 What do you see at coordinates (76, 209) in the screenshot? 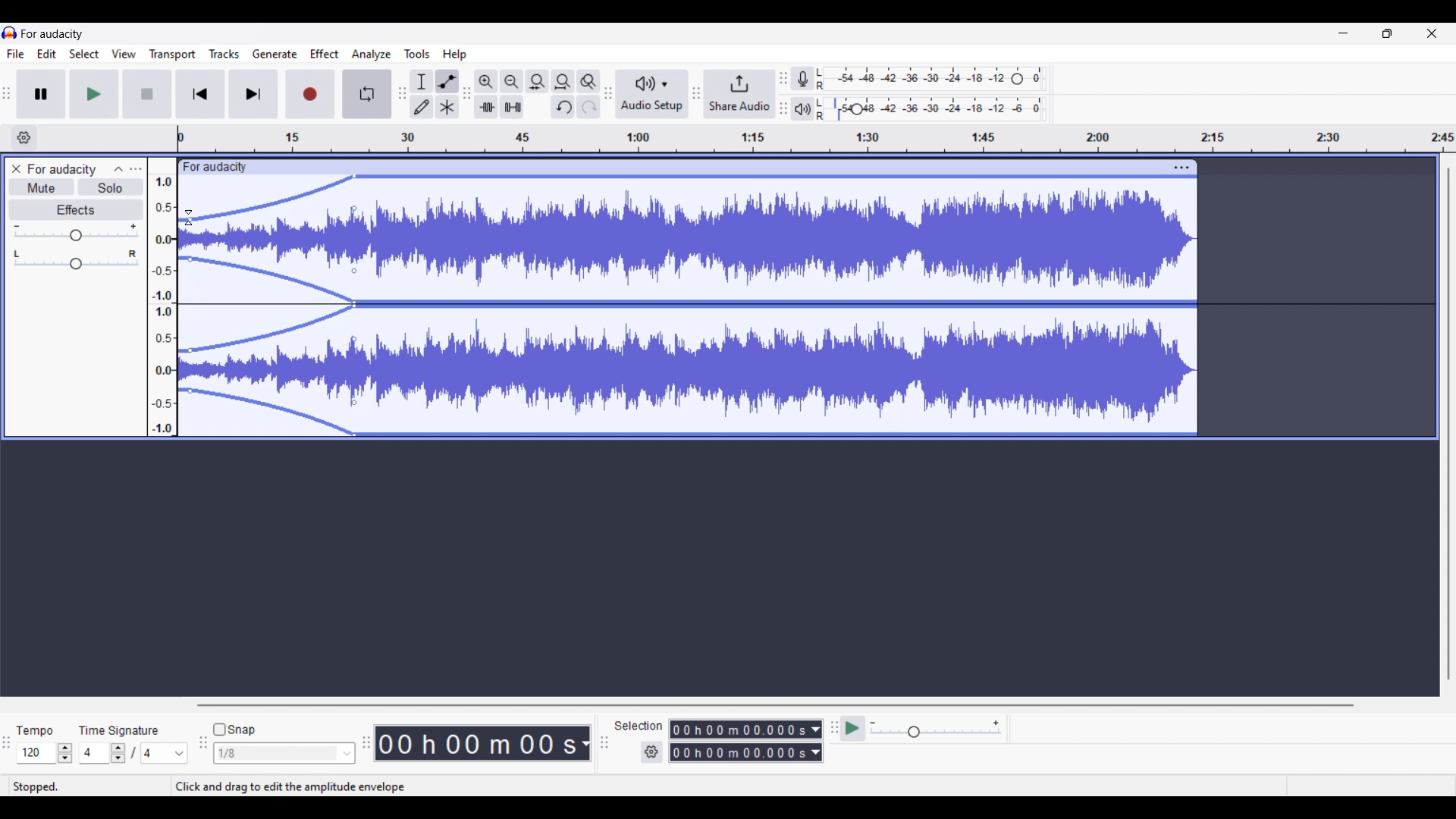
I see `Effects` at bounding box center [76, 209].